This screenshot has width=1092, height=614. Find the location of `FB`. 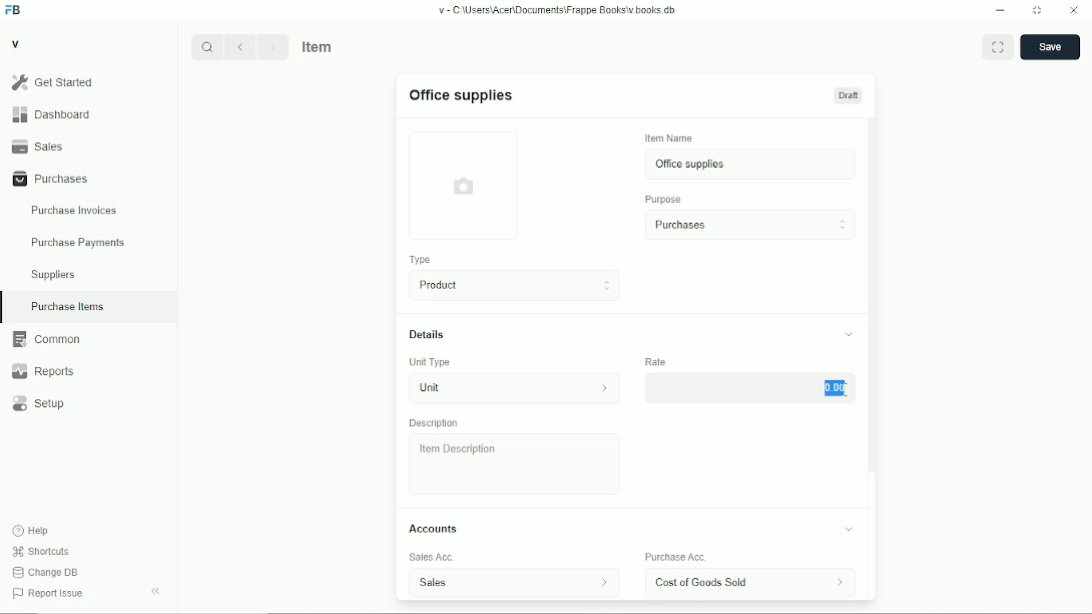

FB is located at coordinates (14, 11).